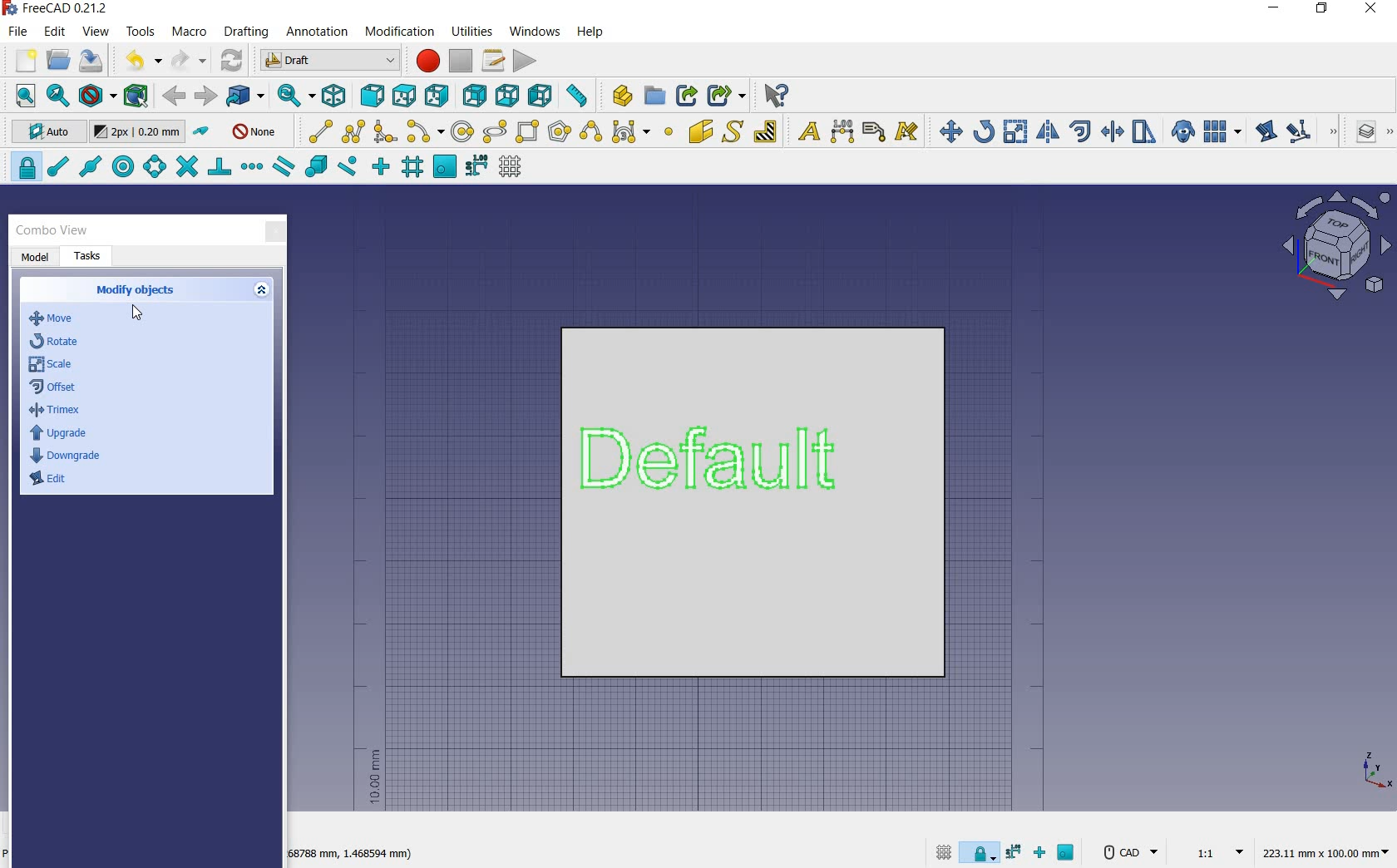 The height and width of the screenshot is (868, 1397). I want to click on create part, so click(619, 95).